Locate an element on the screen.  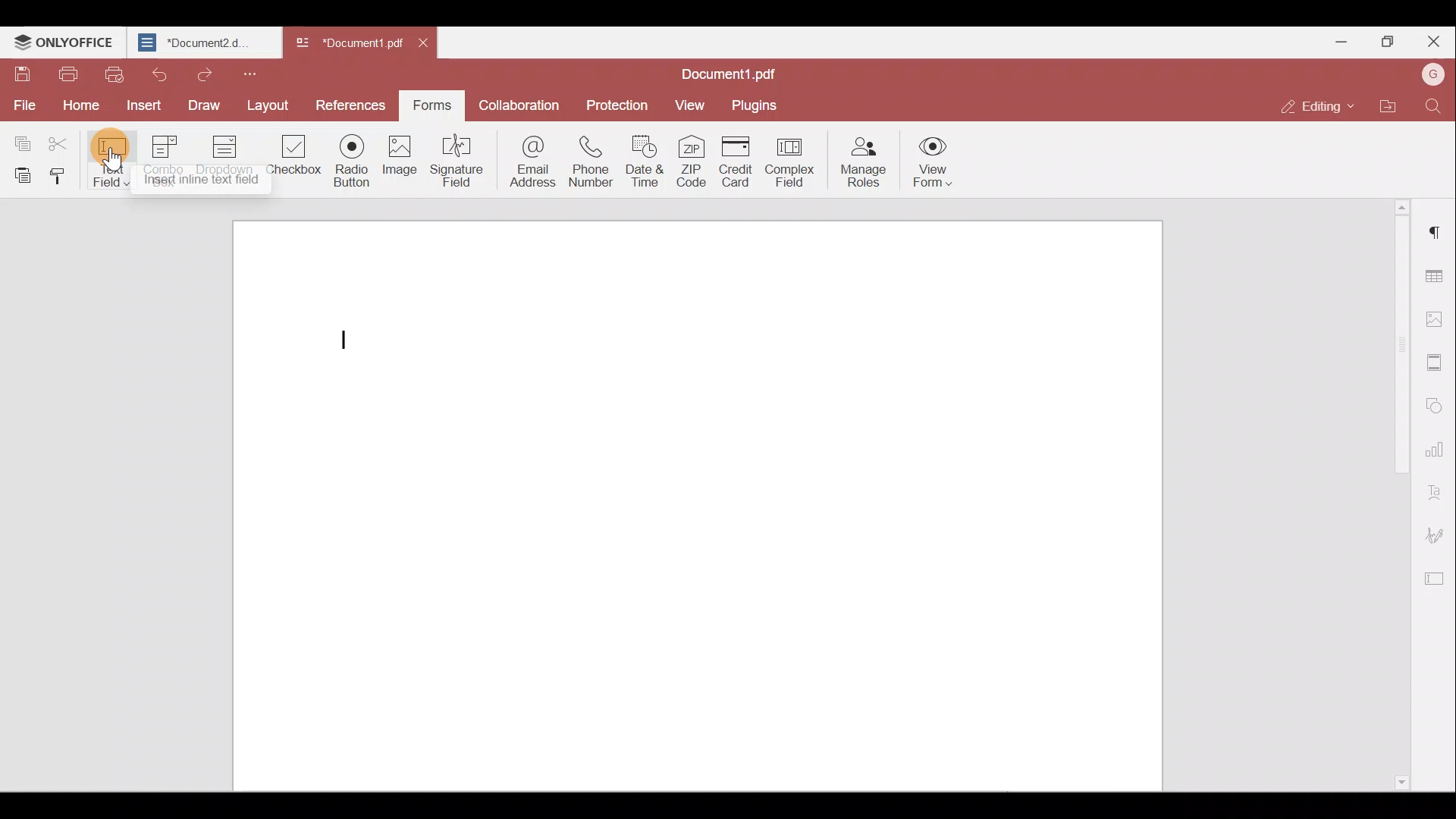
Date & time is located at coordinates (645, 165).